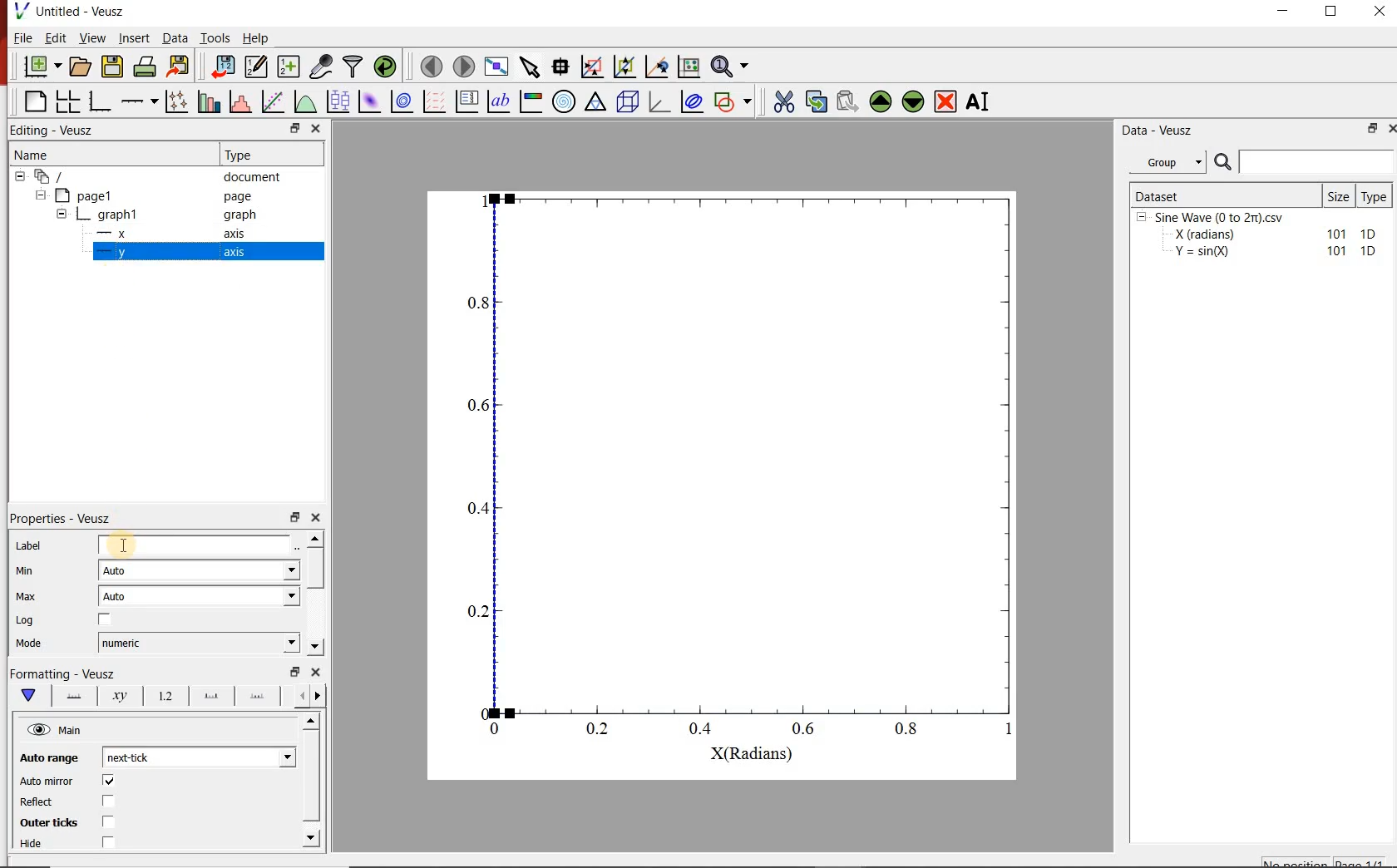  I want to click on Outer ticks, so click(45, 822).